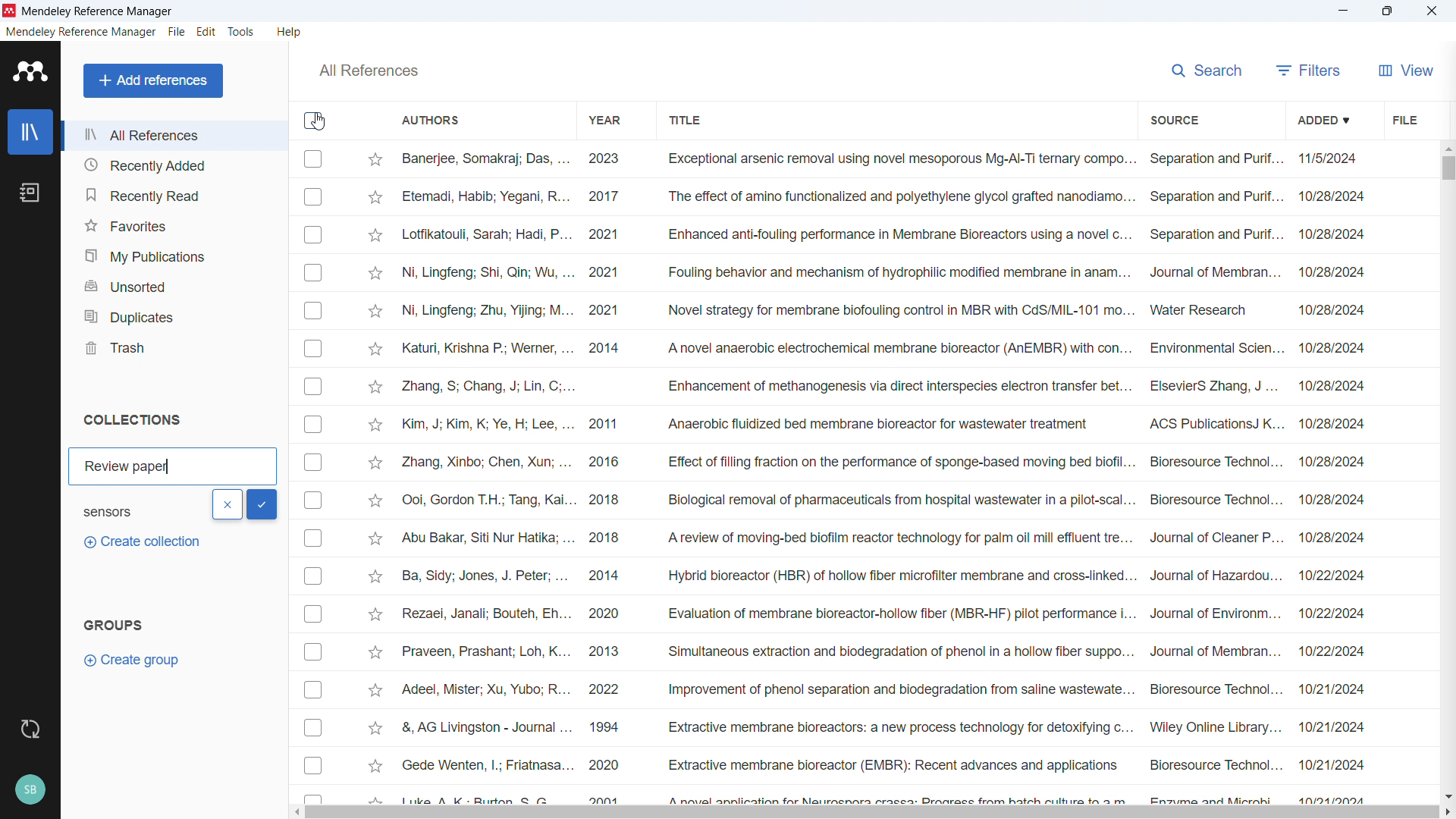 The image size is (1456, 819). What do you see at coordinates (375, 652) in the screenshot?
I see `Star mark respective publication` at bounding box center [375, 652].